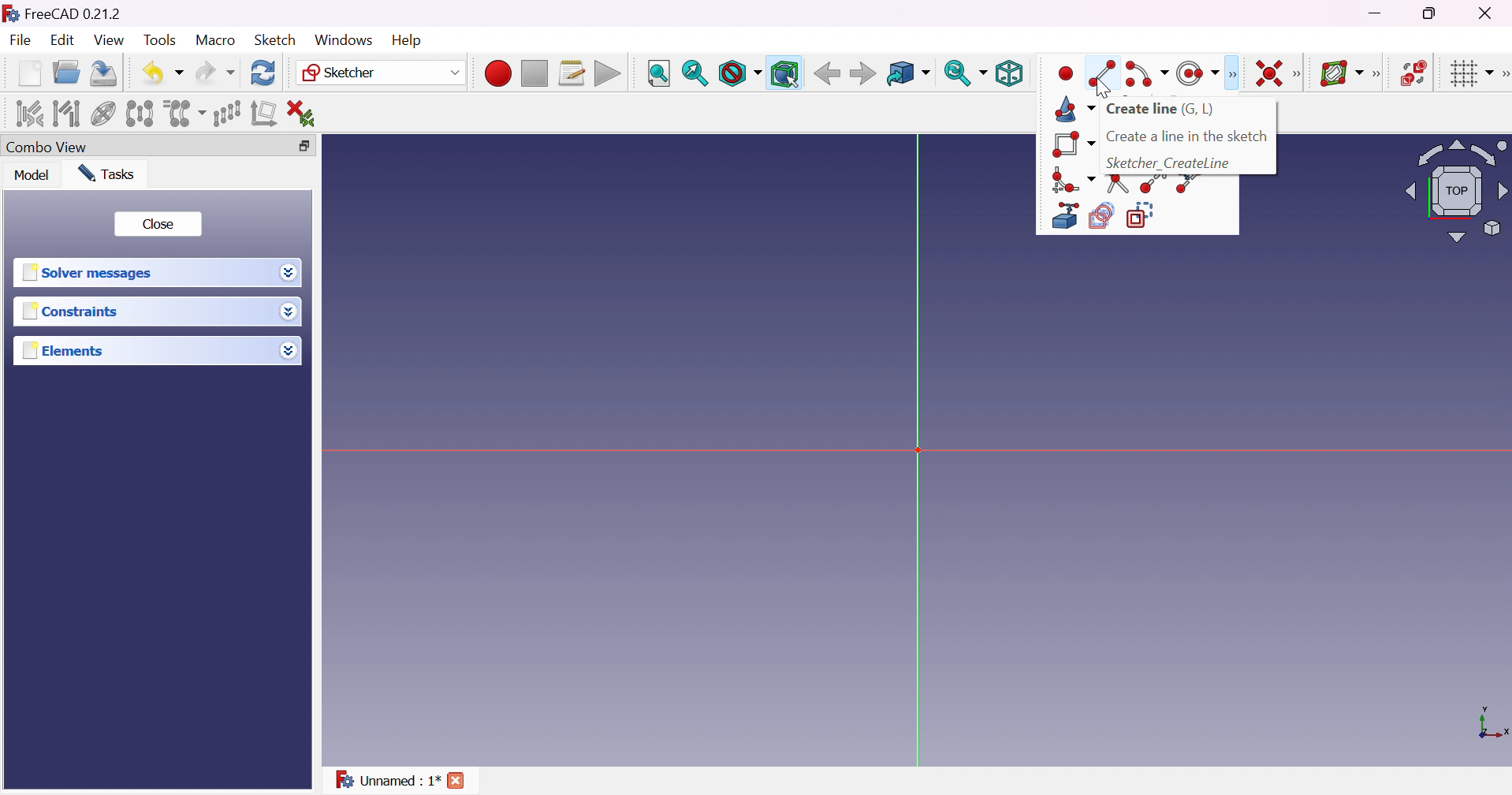 The height and width of the screenshot is (795, 1512). What do you see at coordinates (289, 273) in the screenshot?
I see `Drop down` at bounding box center [289, 273].